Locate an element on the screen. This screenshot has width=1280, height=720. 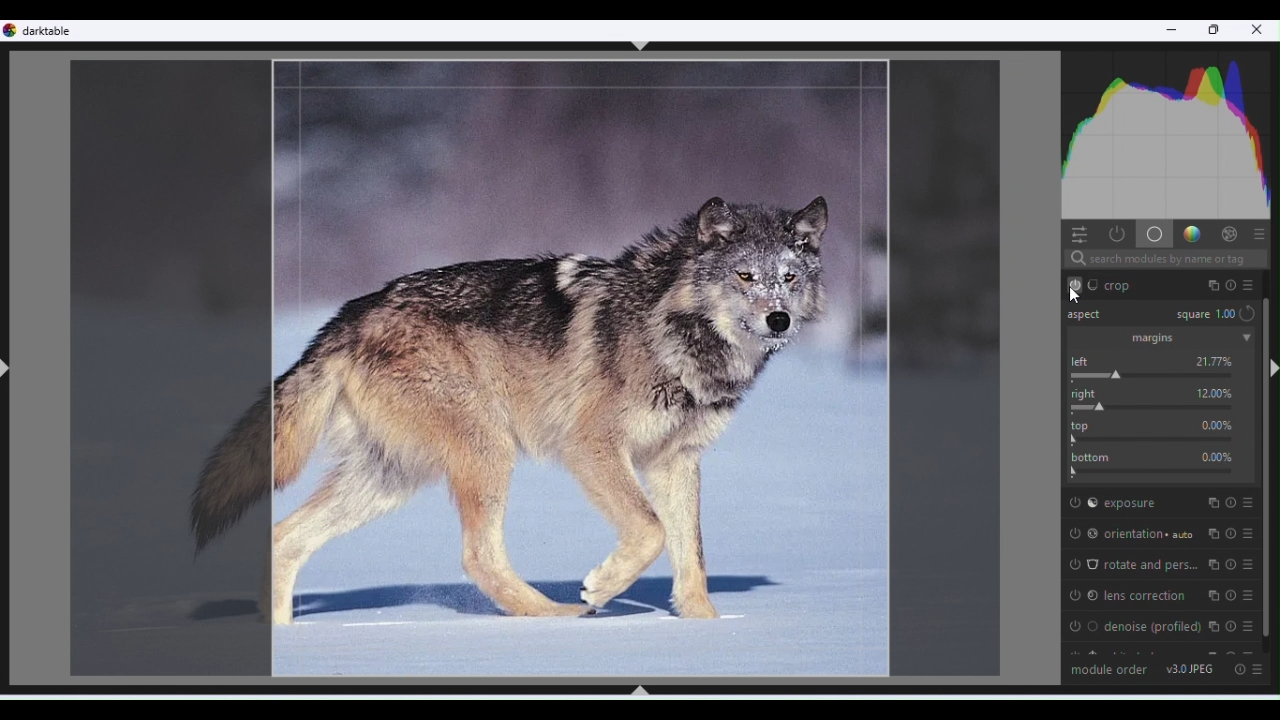
Show active modules only is located at coordinates (1115, 234).